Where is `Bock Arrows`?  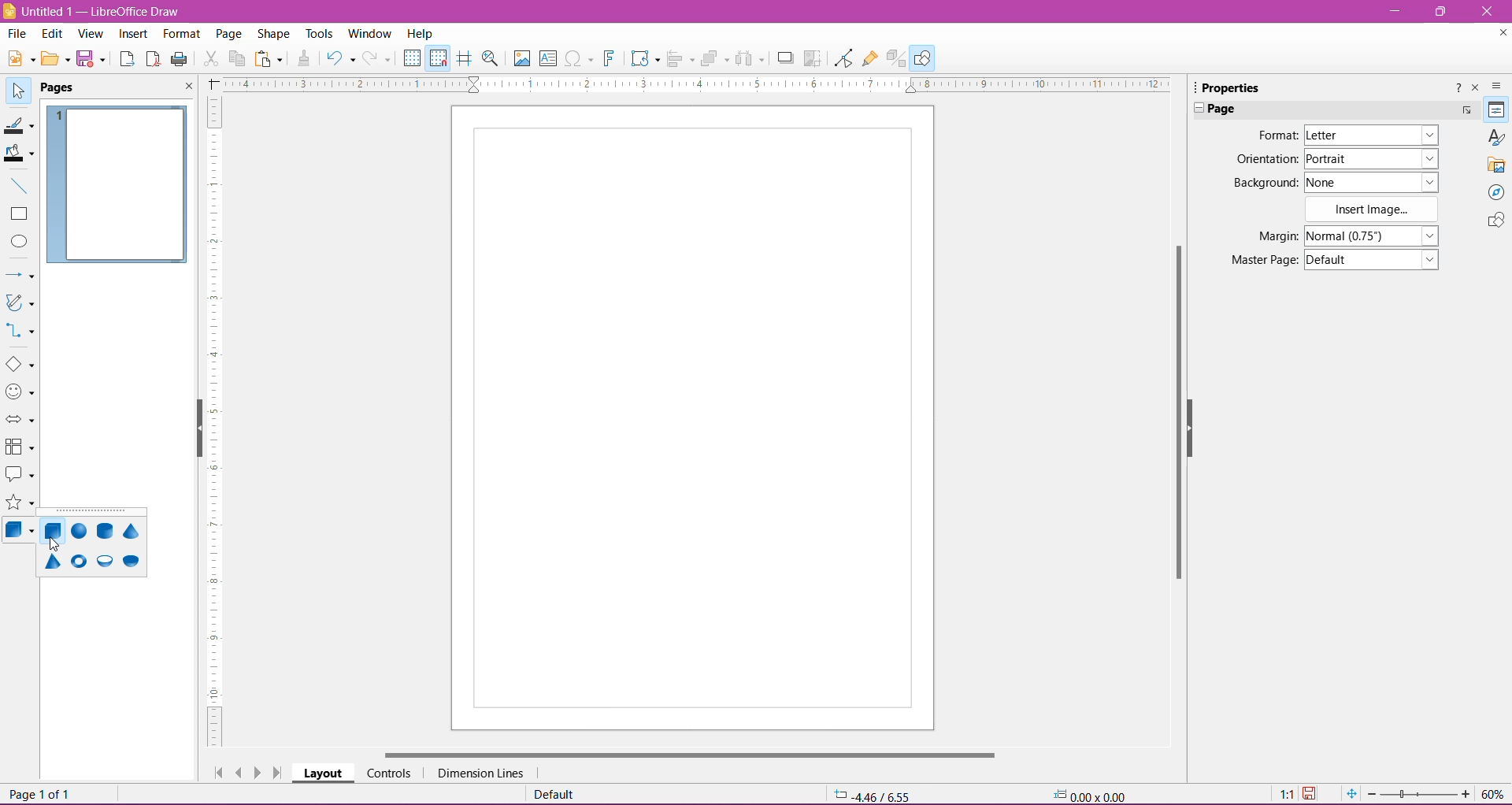 Bock Arrows is located at coordinates (20, 421).